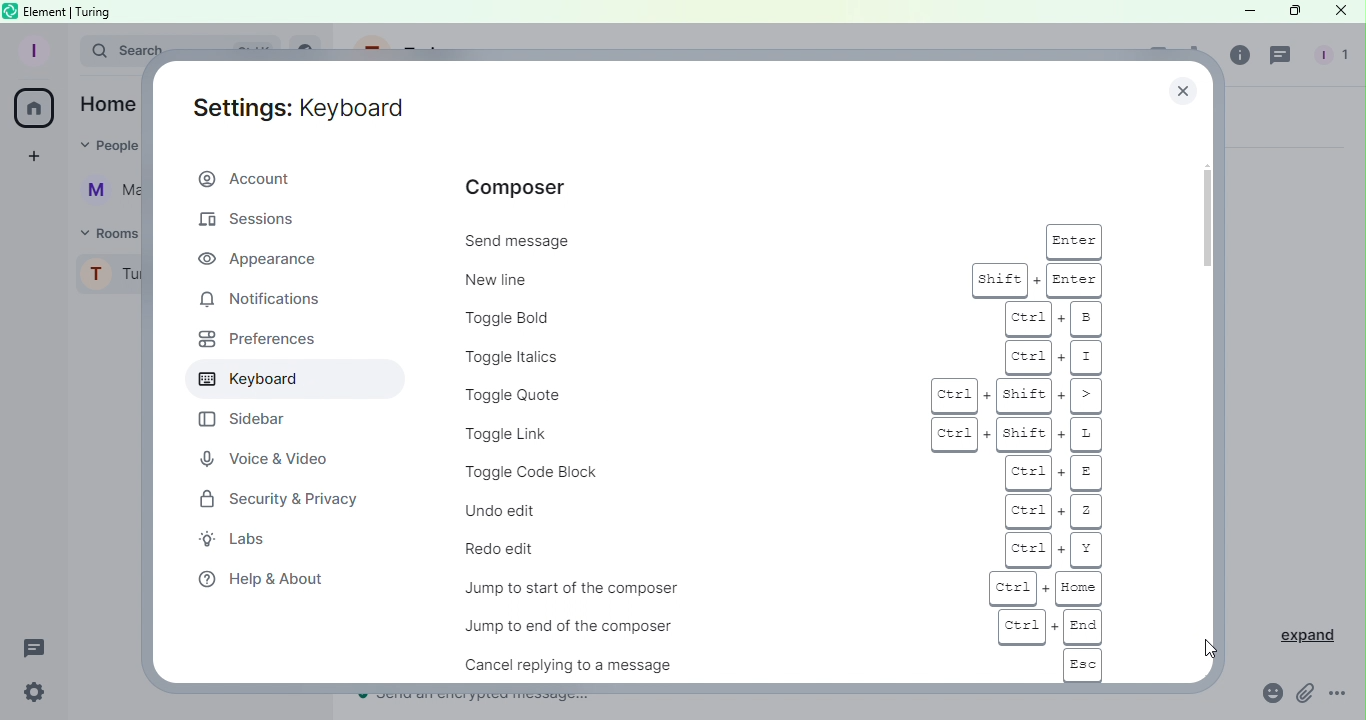  Describe the element at coordinates (282, 298) in the screenshot. I see `Notifications` at that location.